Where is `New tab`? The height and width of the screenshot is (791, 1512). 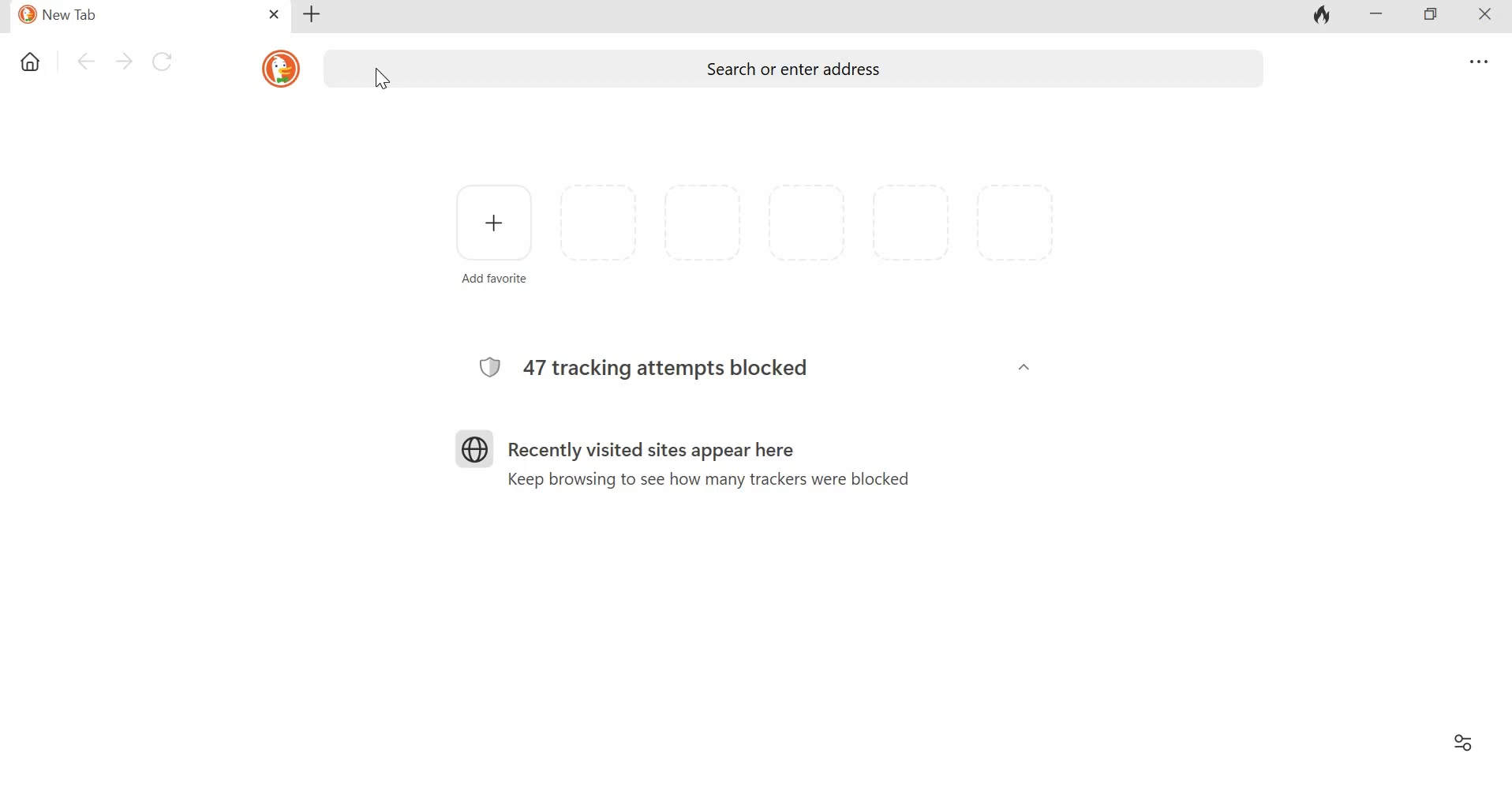
New tab is located at coordinates (313, 14).